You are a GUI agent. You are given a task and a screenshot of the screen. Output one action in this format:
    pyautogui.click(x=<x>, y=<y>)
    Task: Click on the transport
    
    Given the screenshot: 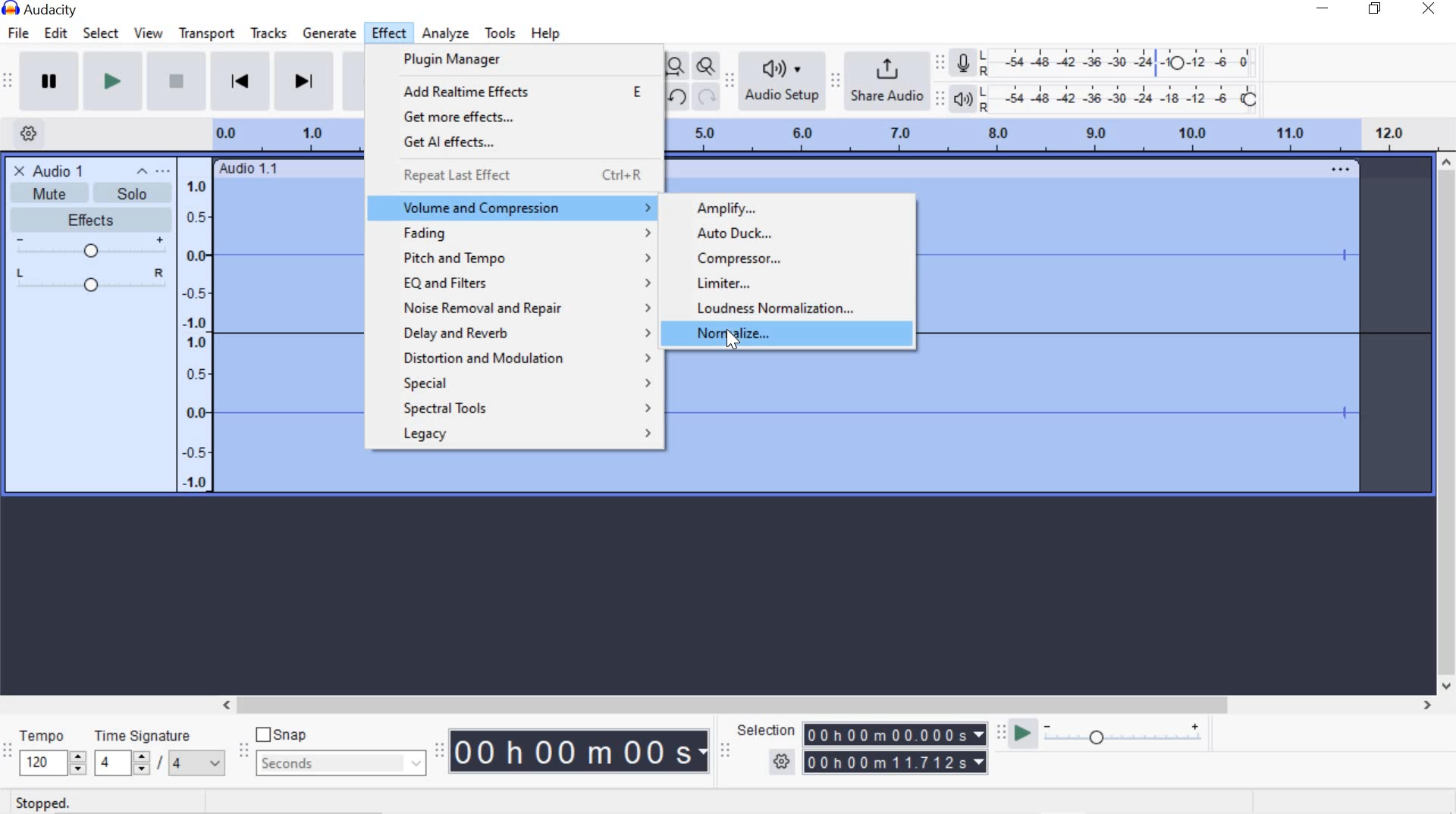 What is the action you would take?
    pyautogui.click(x=206, y=33)
    